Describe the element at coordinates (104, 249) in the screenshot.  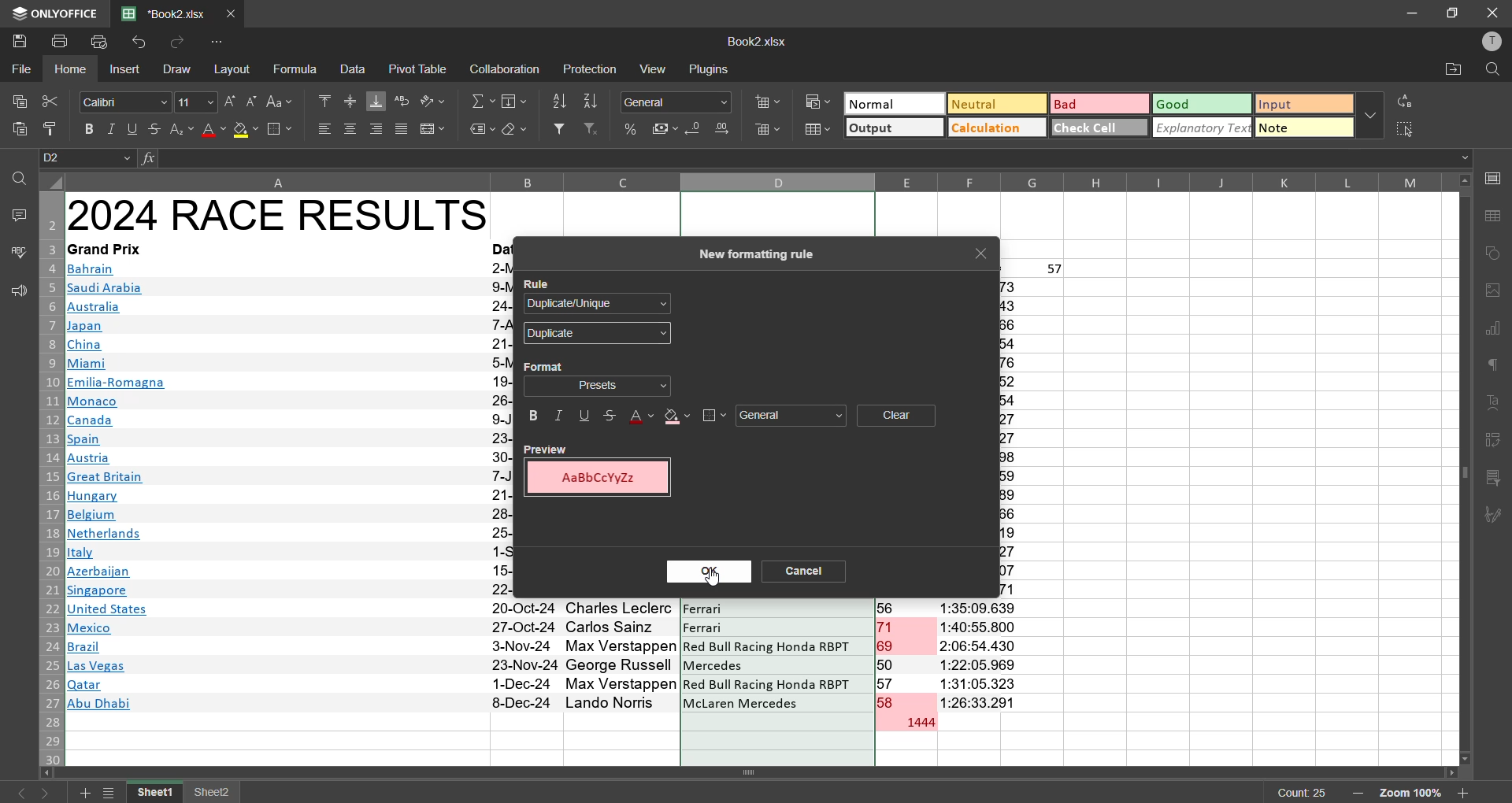
I see `grand prix` at that location.